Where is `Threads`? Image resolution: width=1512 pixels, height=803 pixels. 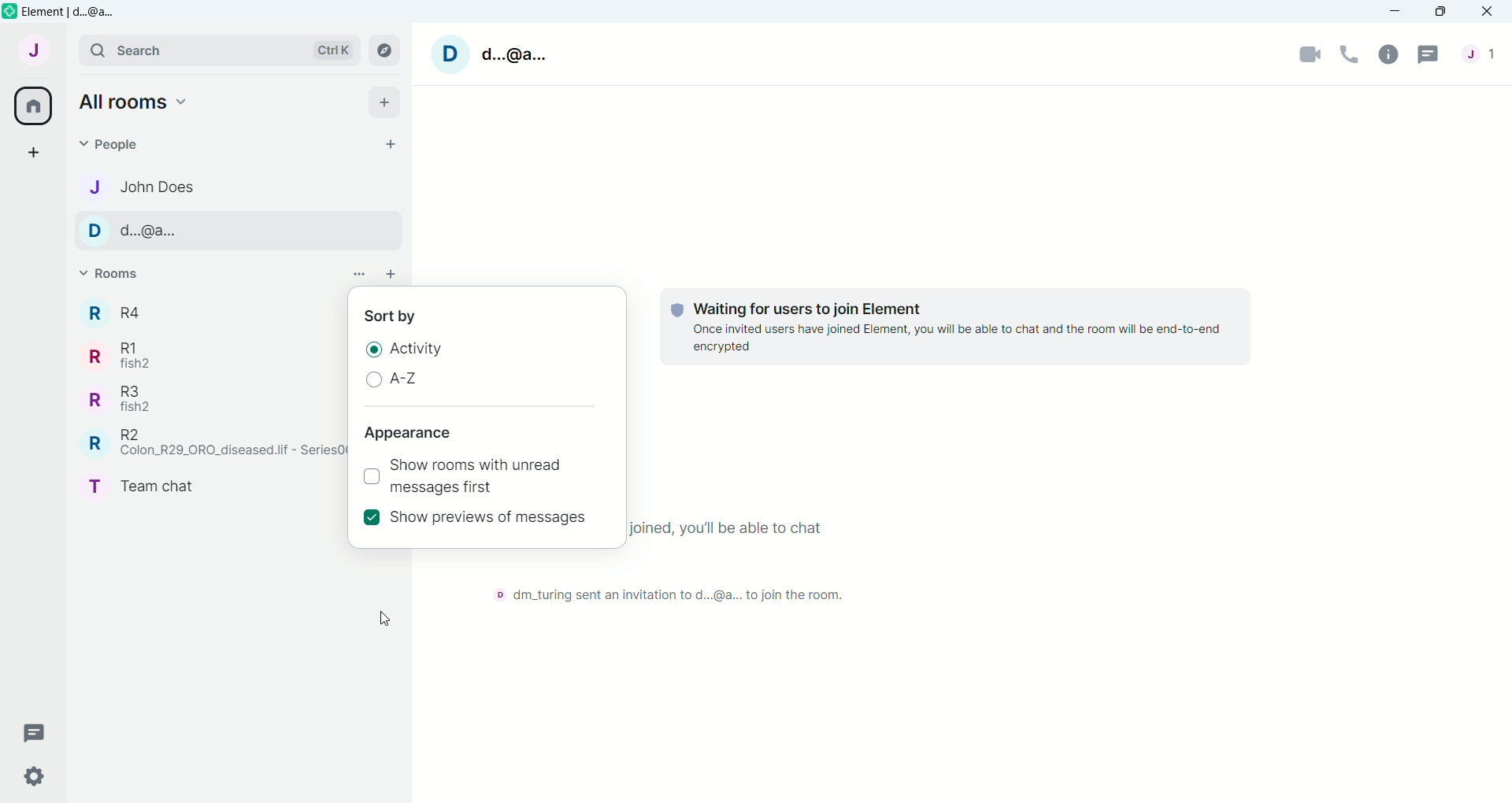
Threads is located at coordinates (28, 736).